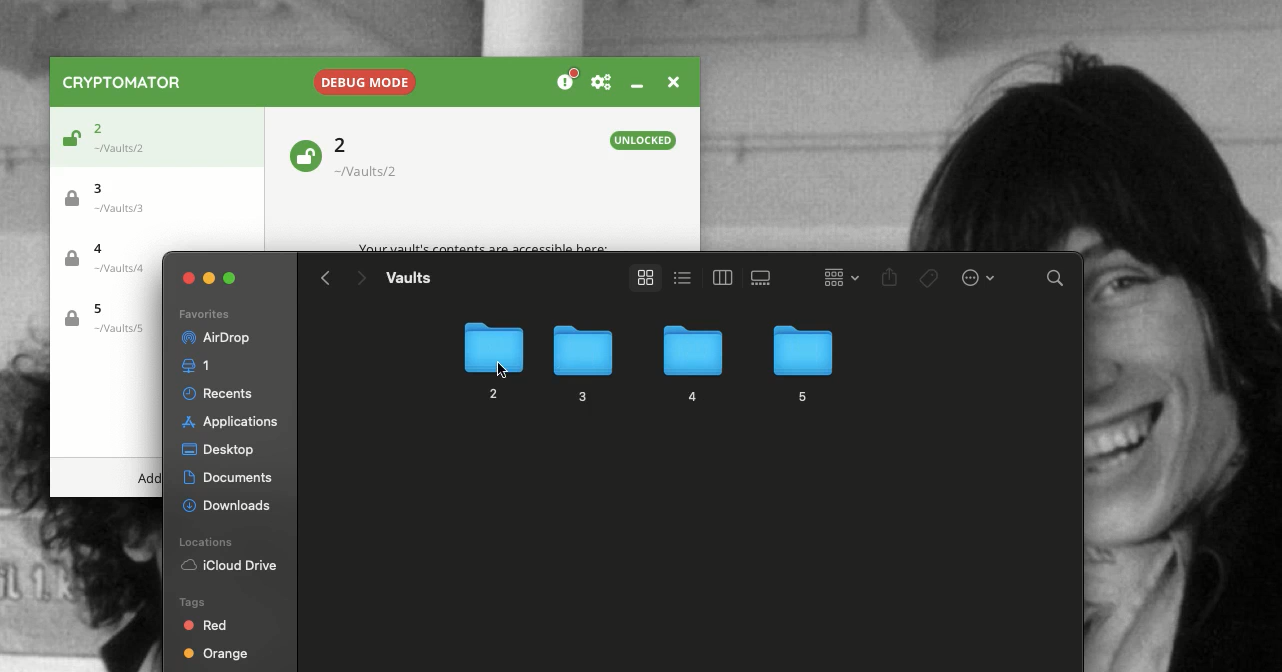 The image size is (1282, 672). I want to click on Maximize, so click(232, 278).